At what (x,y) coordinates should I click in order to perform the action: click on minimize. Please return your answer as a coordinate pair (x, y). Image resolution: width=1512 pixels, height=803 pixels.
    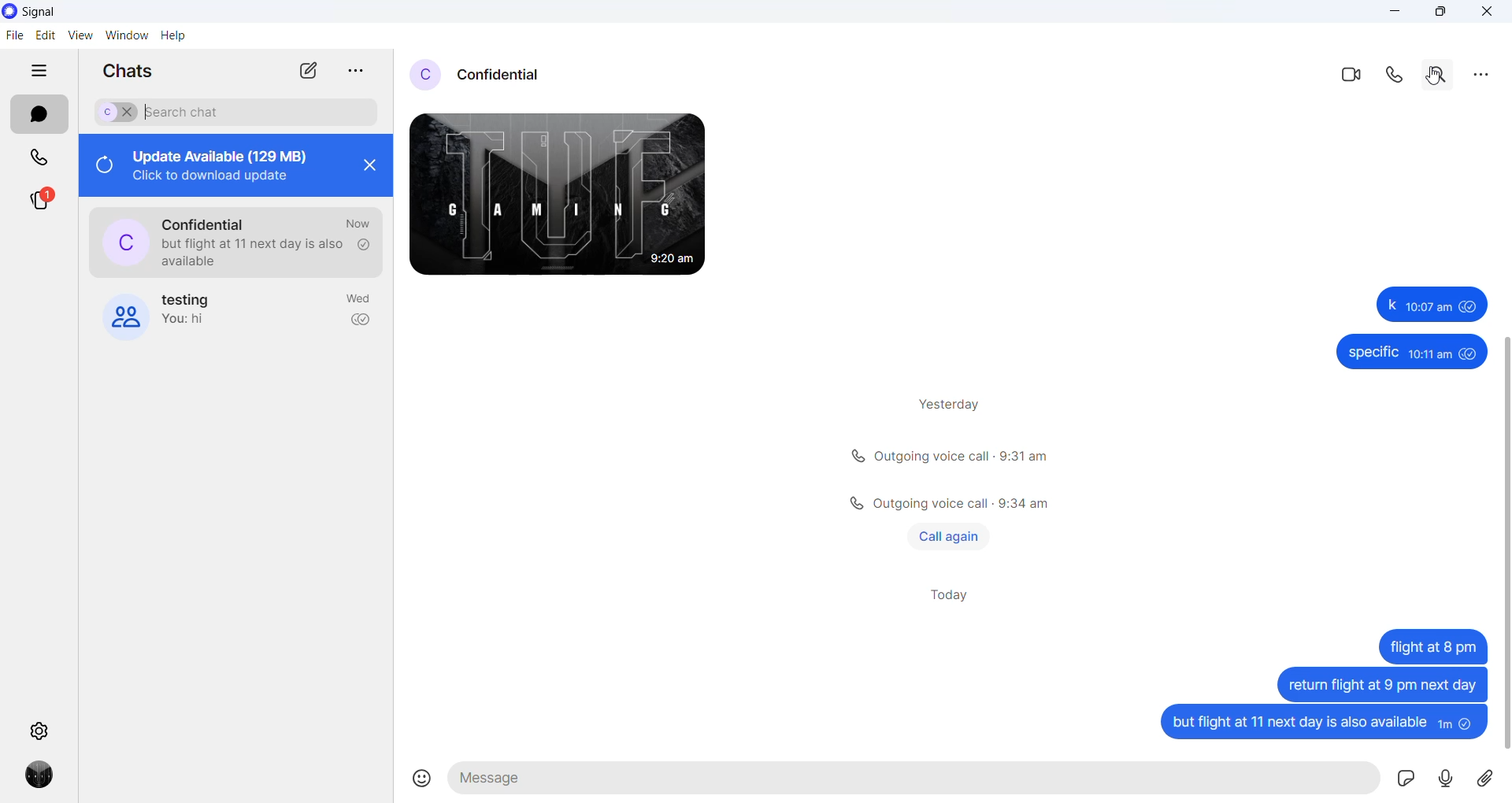
    Looking at the image, I should click on (1401, 13).